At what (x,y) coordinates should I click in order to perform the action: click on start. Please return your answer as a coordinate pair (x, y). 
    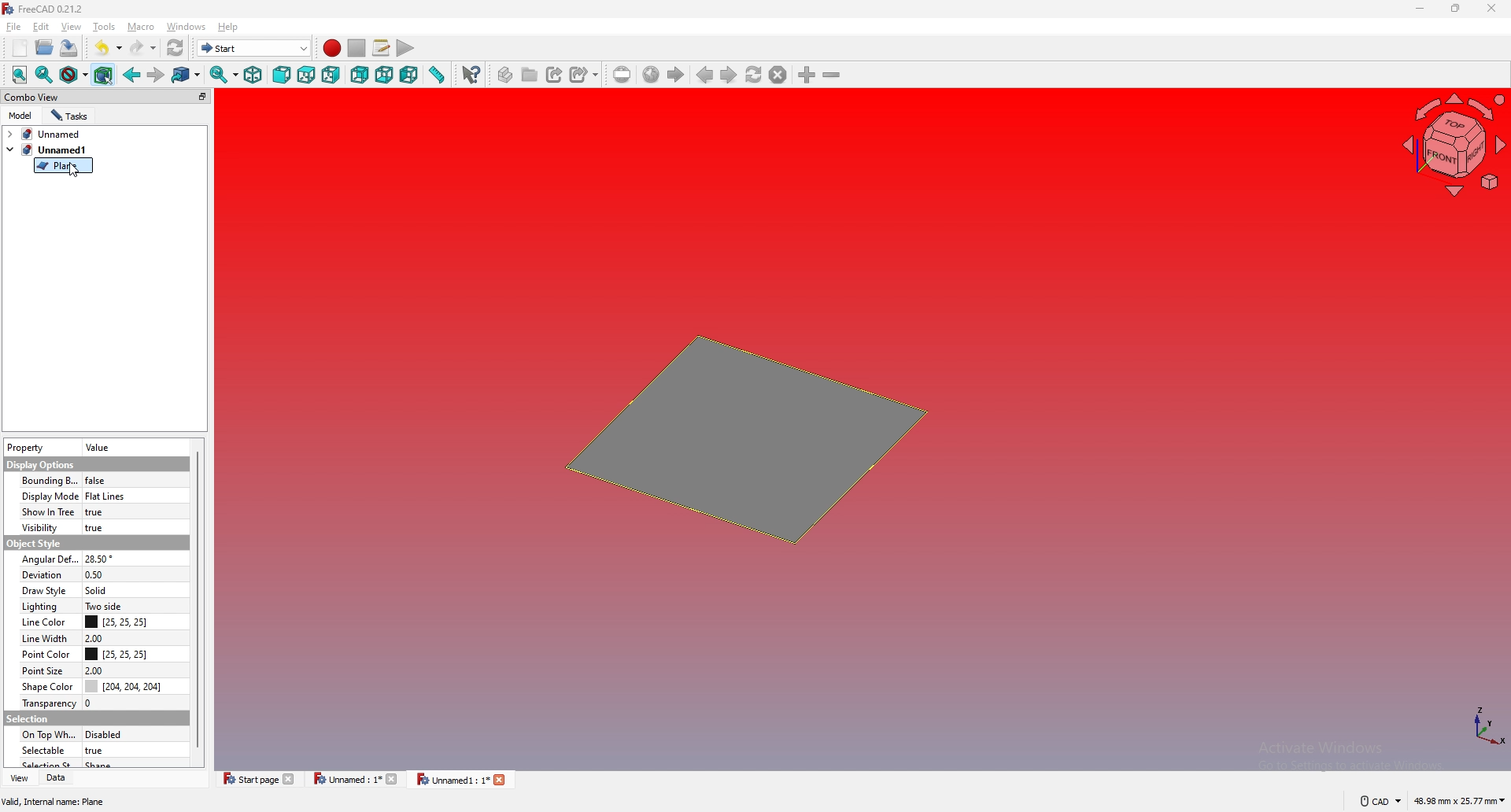
    Looking at the image, I should click on (254, 47).